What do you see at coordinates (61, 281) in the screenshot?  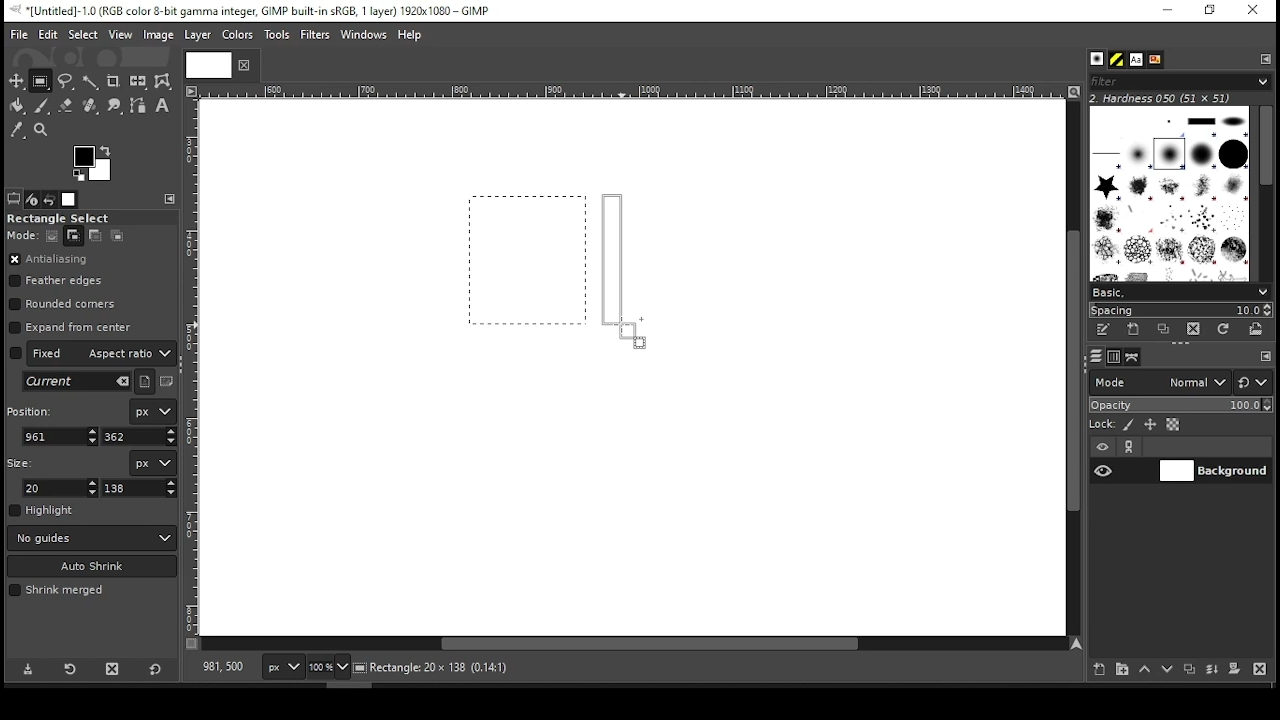 I see `feather edges` at bounding box center [61, 281].